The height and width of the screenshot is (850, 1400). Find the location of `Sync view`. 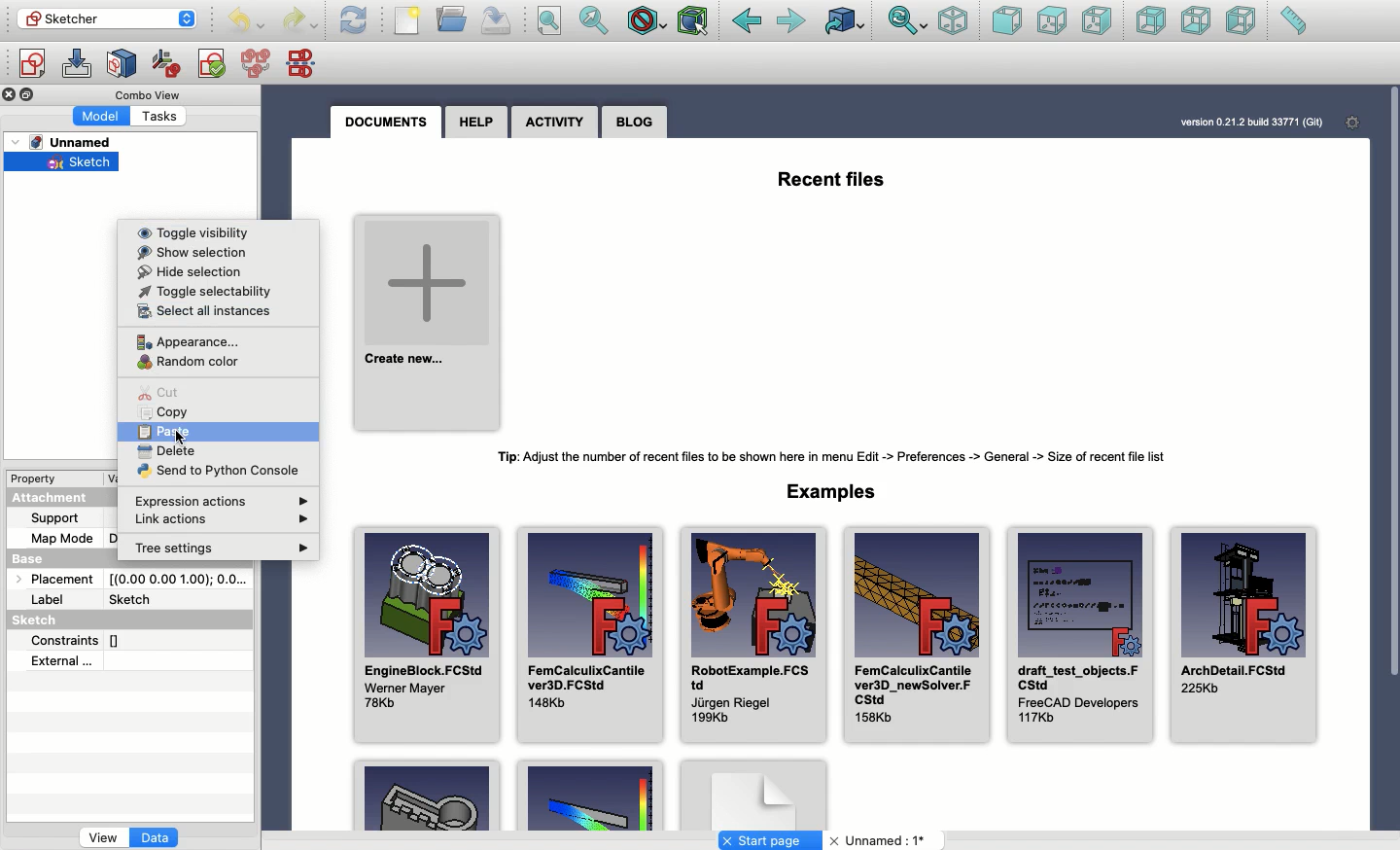

Sync view is located at coordinates (908, 22).